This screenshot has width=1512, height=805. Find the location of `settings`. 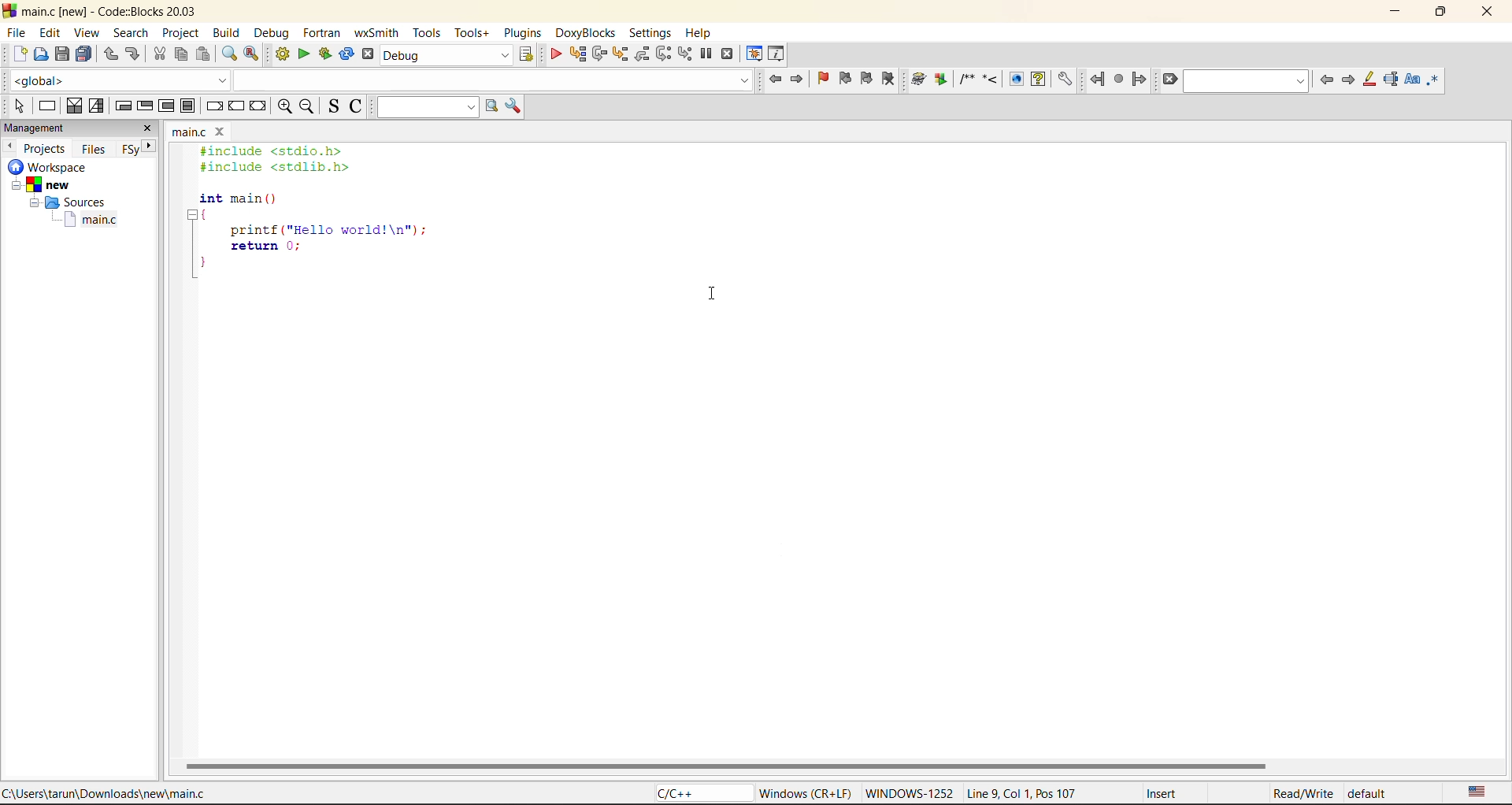

settings is located at coordinates (653, 34).